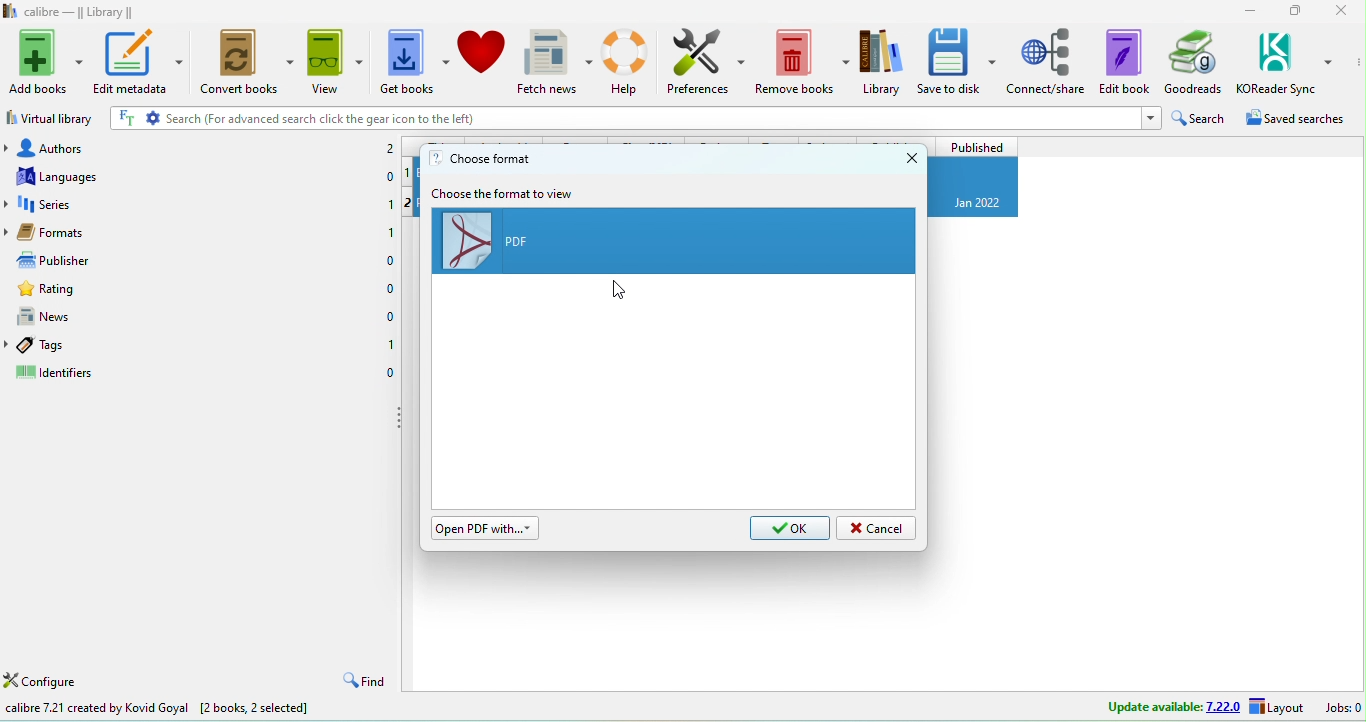 The height and width of the screenshot is (722, 1366). What do you see at coordinates (71, 315) in the screenshot?
I see `news` at bounding box center [71, 315].